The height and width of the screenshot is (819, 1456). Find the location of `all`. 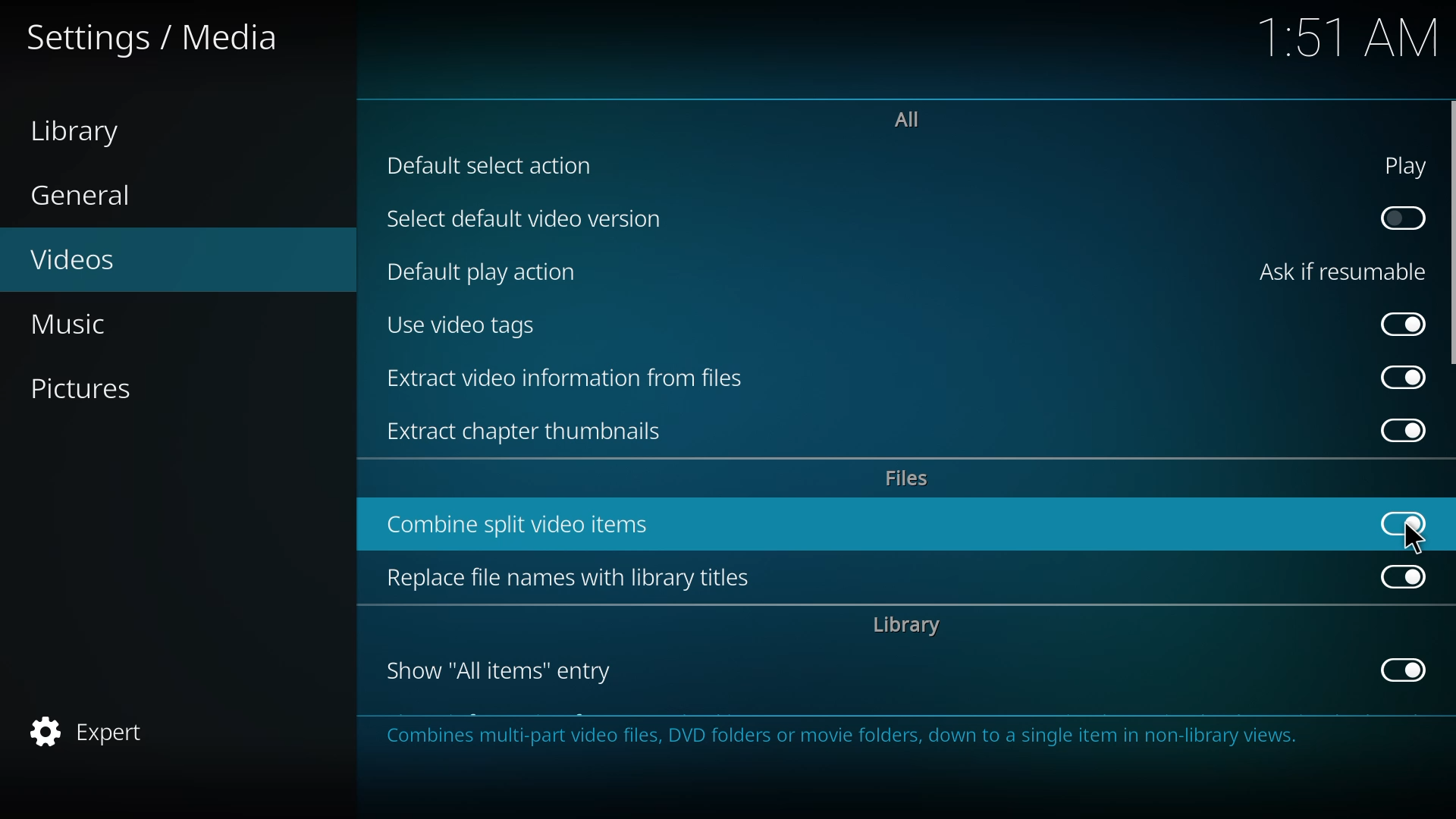

all is located at coordinates (905, 118).